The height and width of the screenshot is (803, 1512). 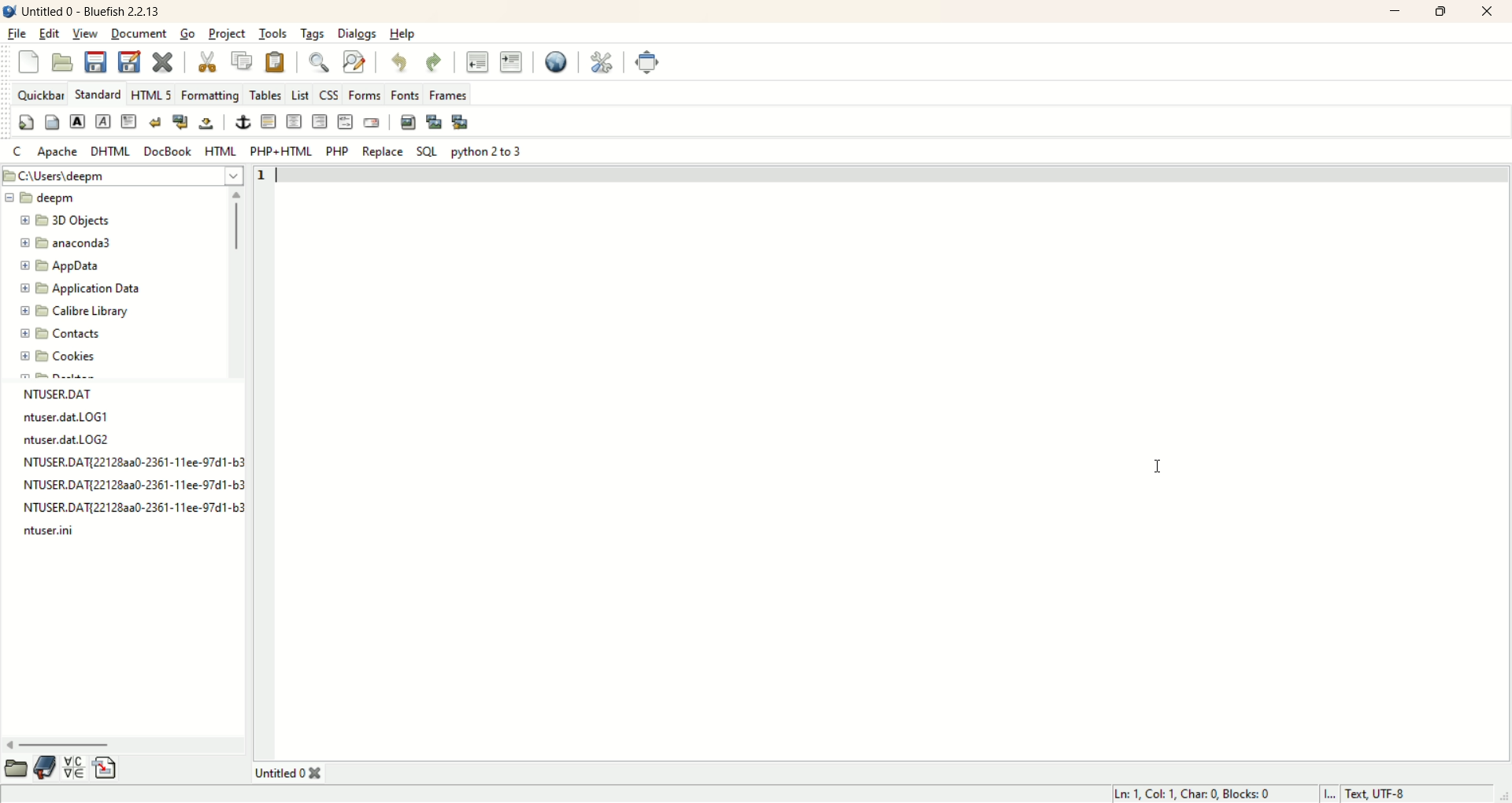 I want to click on title, so click(x=95, y=11).